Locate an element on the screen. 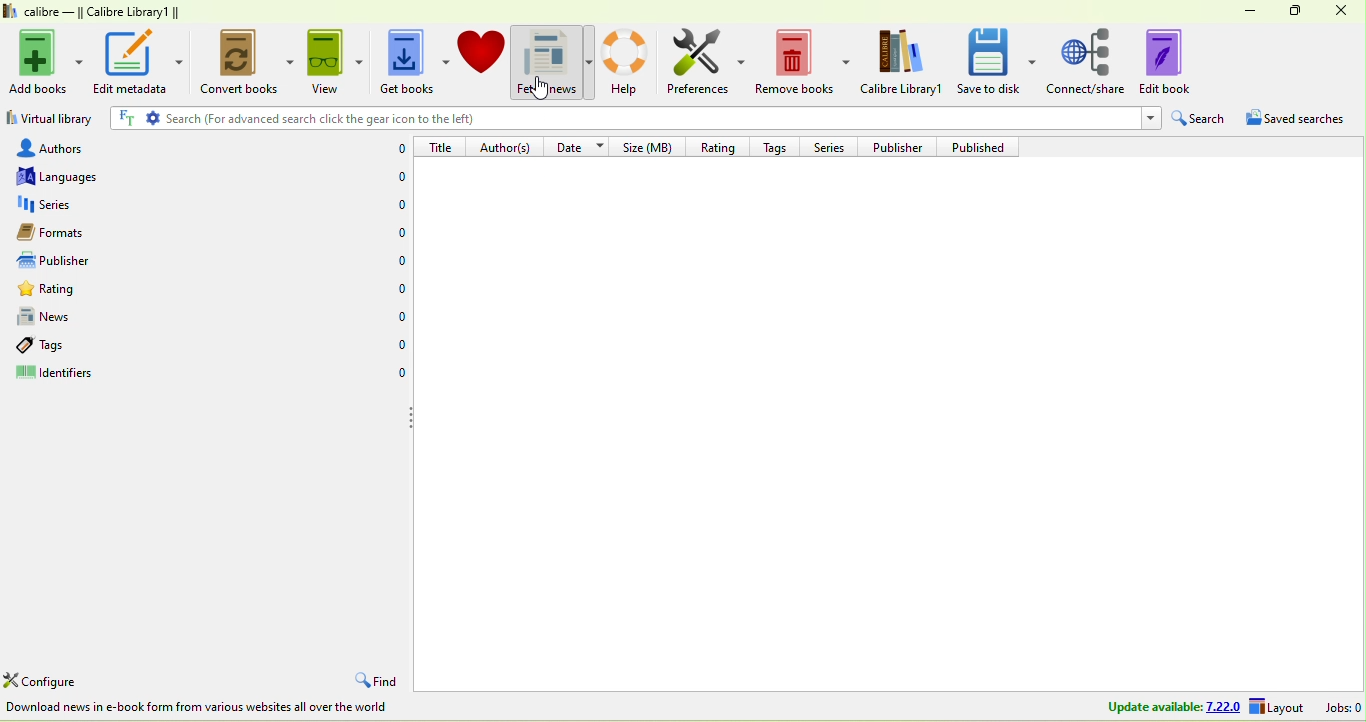 The image size is (1366, 722). edit book is located at coordinates (1178, 63).